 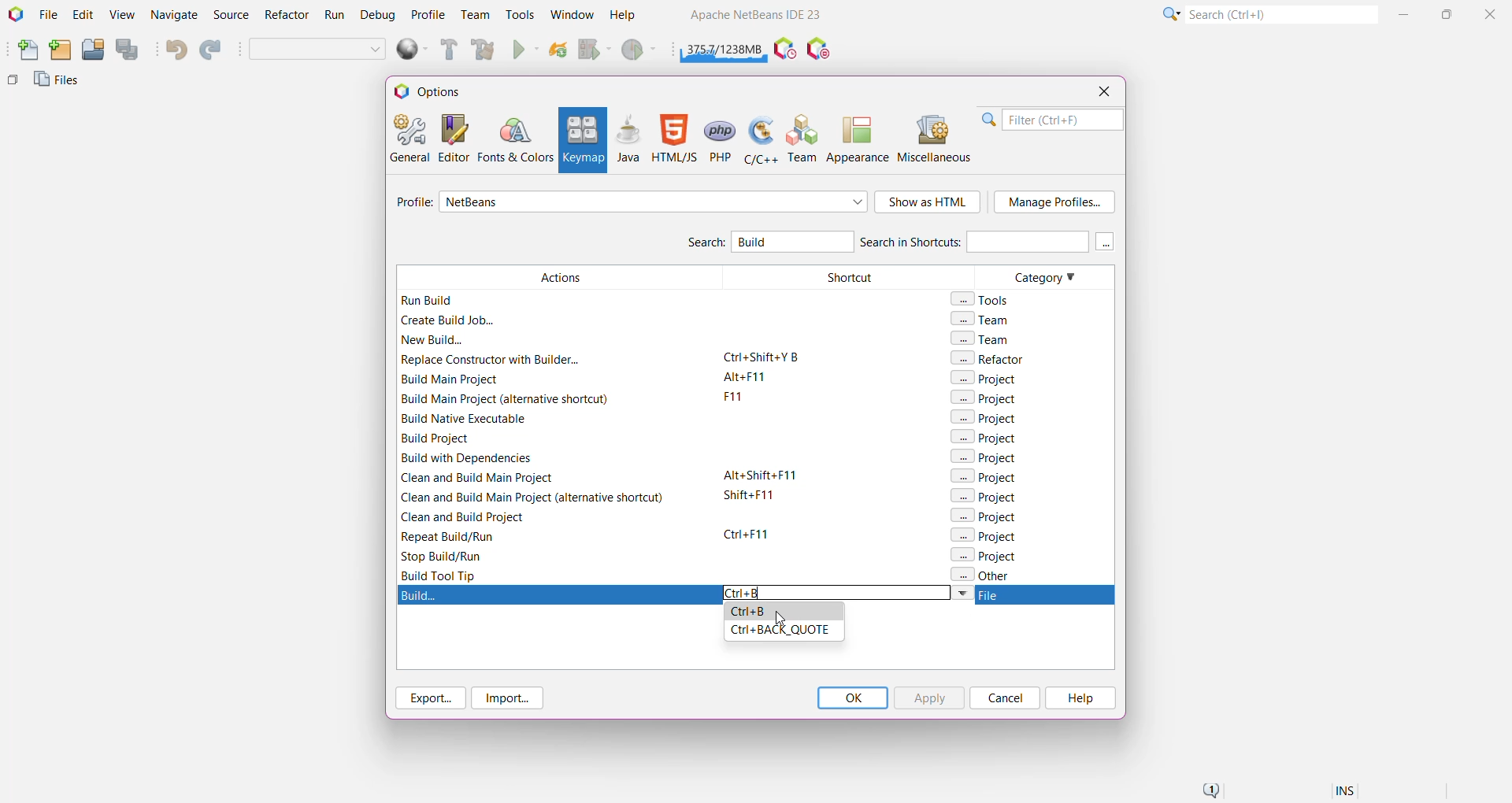 I want to click on Help, so click(x=1079, y=698).